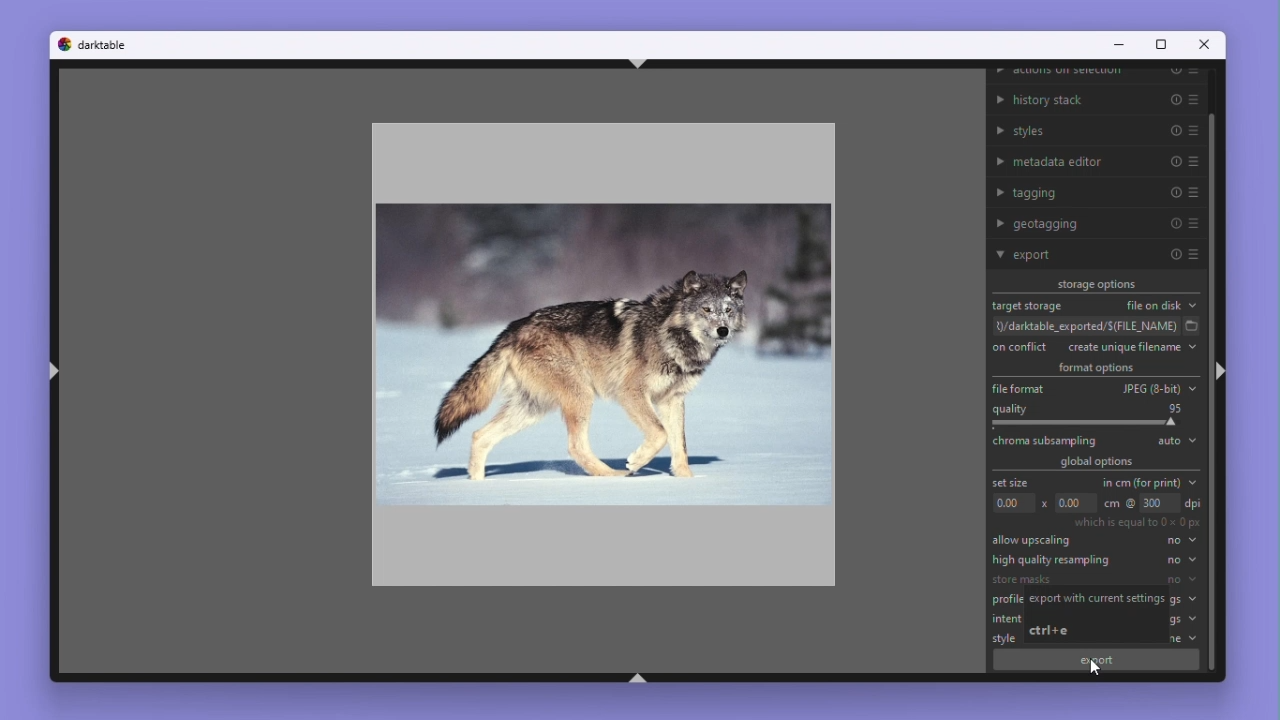 Image resolution: width=1280 pixels, height=720 pixels. I want to click on no, so click(1183, 559).